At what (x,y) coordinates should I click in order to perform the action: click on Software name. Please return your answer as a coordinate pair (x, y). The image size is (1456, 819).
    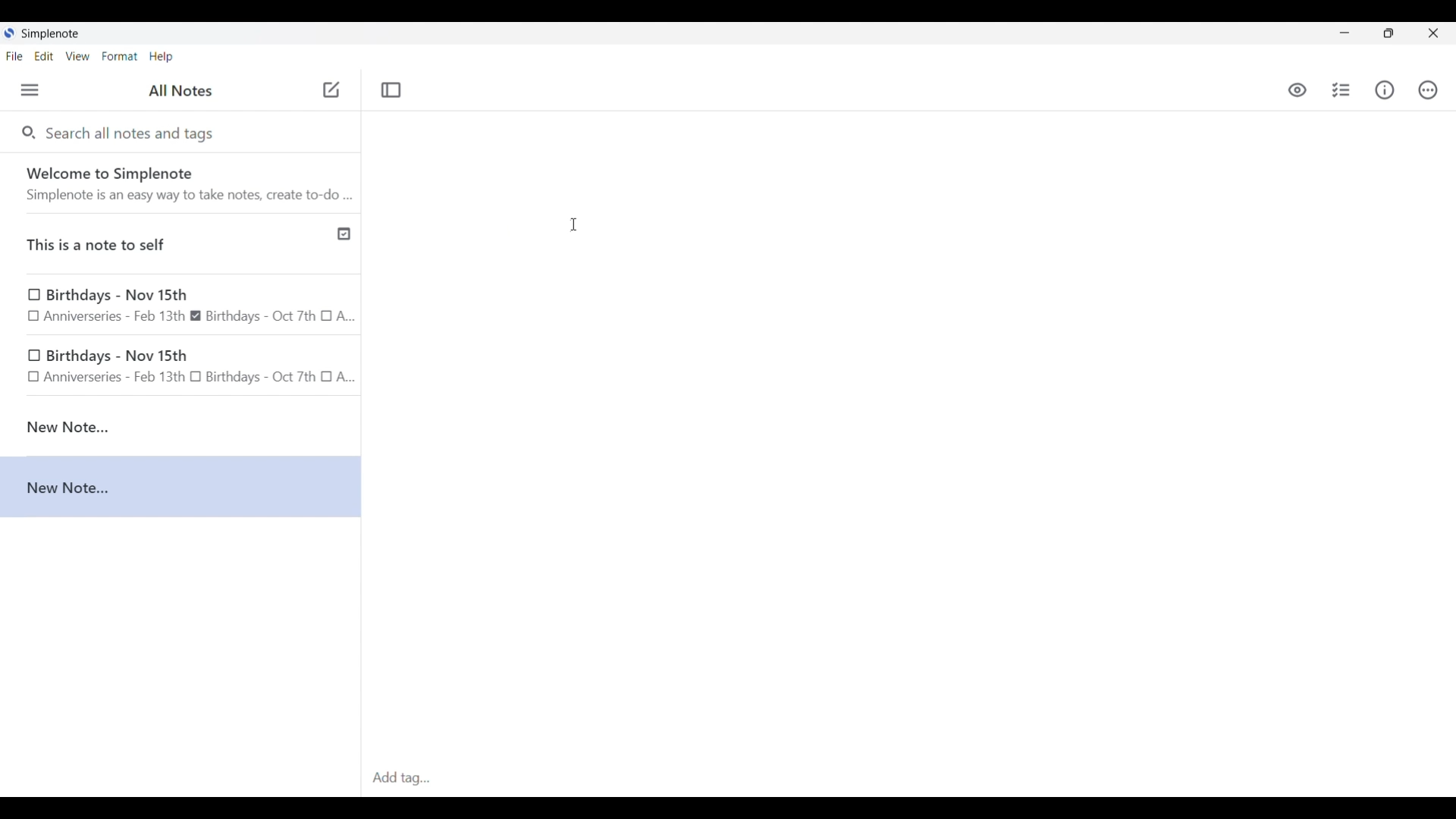
    Looking at the image, I should click on (52, 34).